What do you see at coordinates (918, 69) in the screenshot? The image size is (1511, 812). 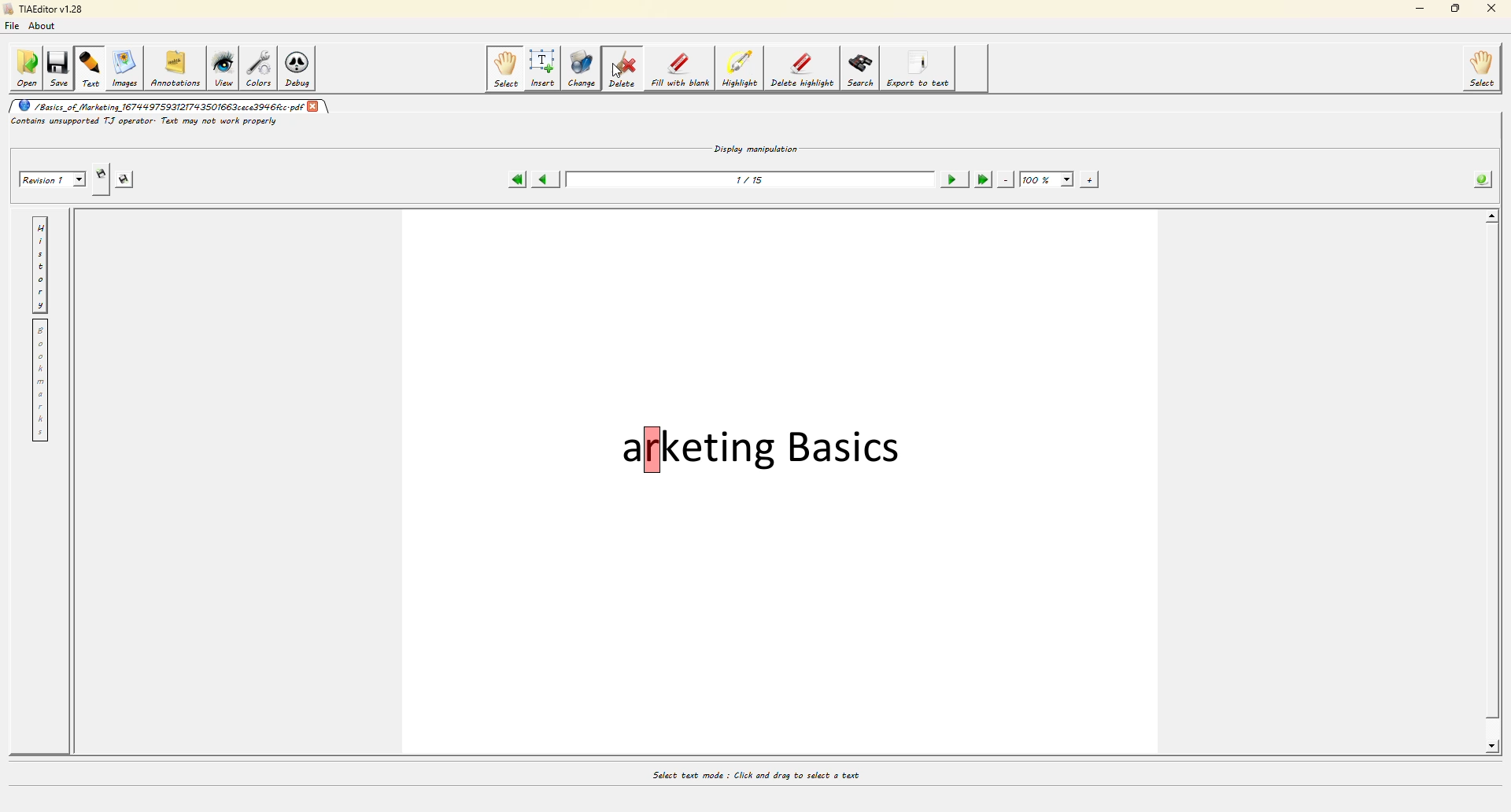 I see `export to text` at bounding box center [918, 69].